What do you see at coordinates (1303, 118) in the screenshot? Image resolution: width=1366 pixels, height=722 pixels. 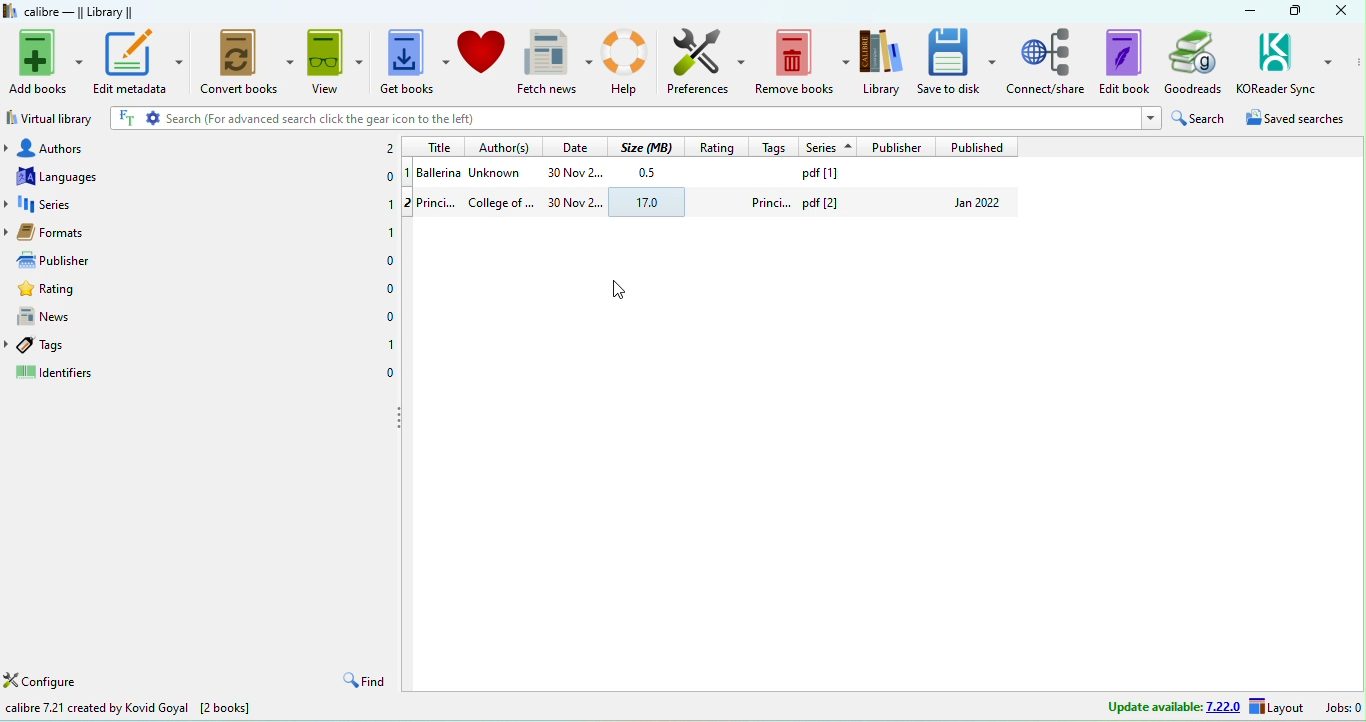 I see `saved searches` at bounding box center [1303, 118].